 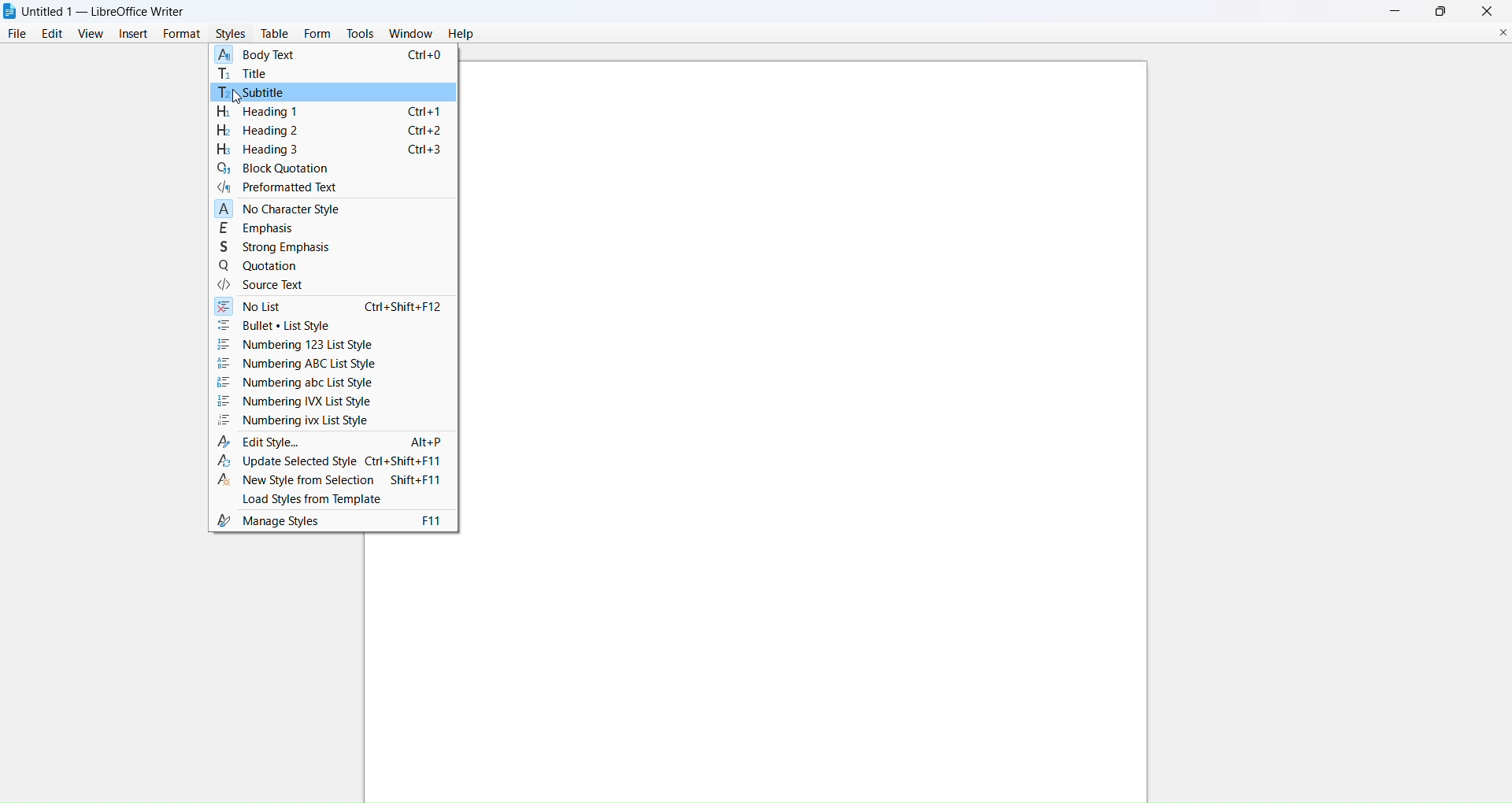 What do you see at coordinates (326, 327) in the screenshot?
I see `bullet list style` at bounding box center [326, 327].